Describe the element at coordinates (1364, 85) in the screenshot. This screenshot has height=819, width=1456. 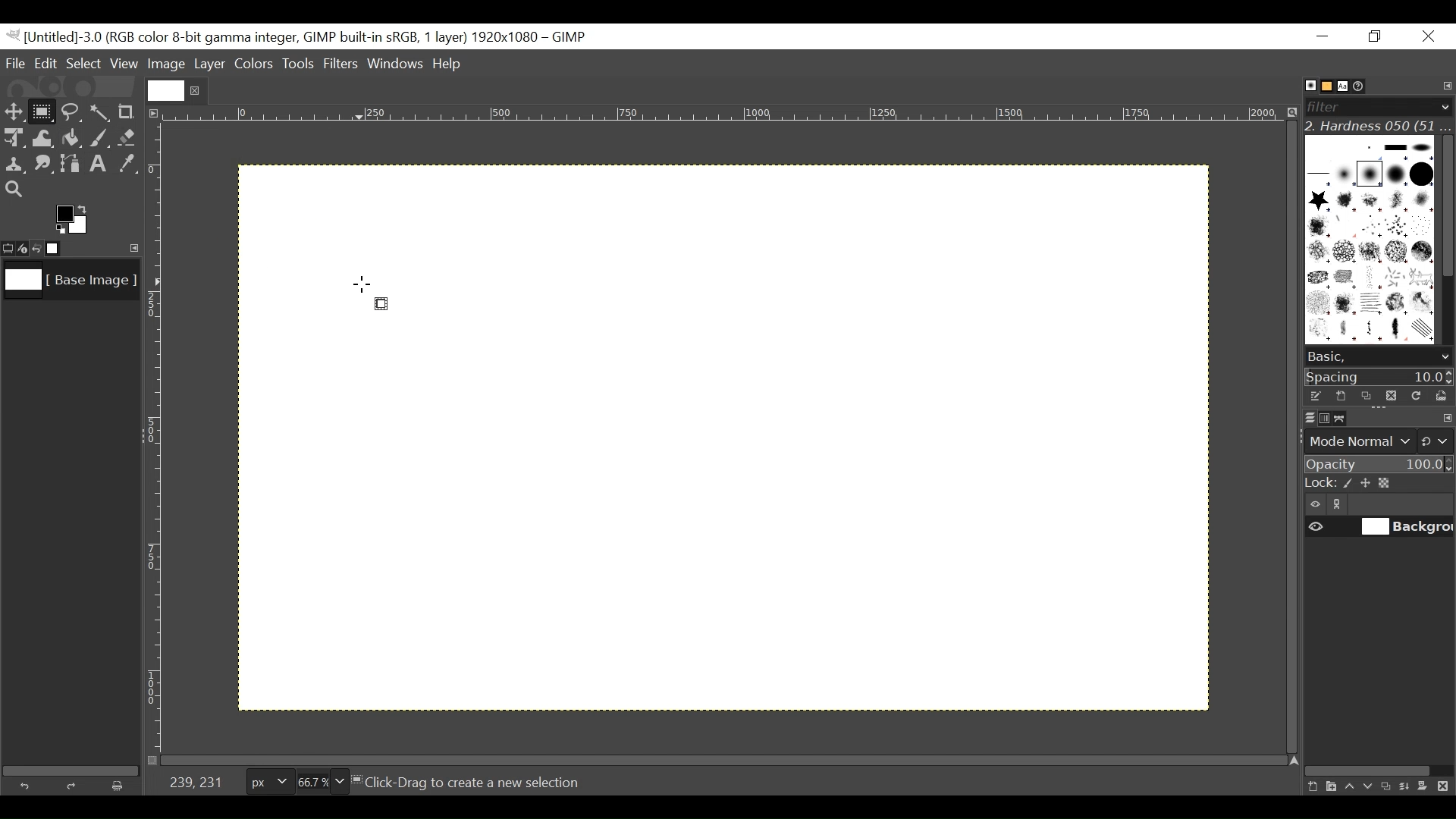
I see `Document History` at that location.